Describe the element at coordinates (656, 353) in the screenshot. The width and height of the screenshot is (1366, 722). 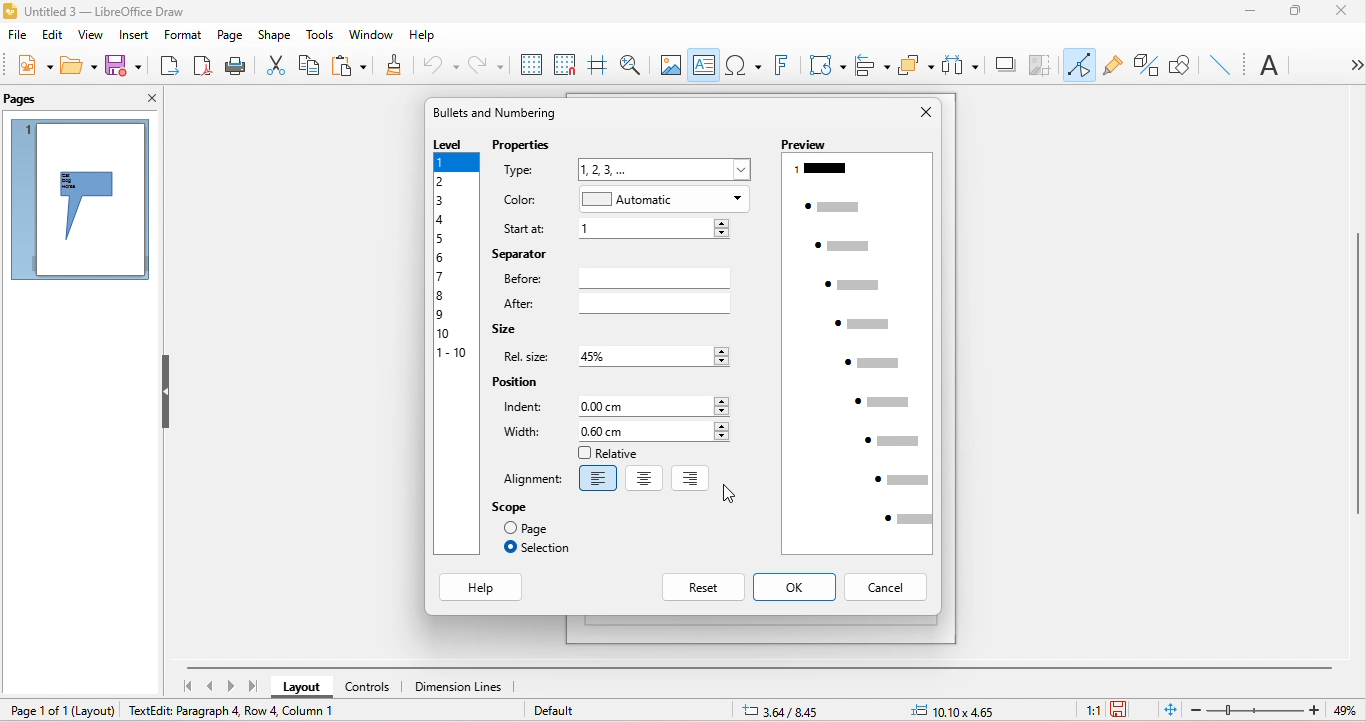
I see `45%` at that location.